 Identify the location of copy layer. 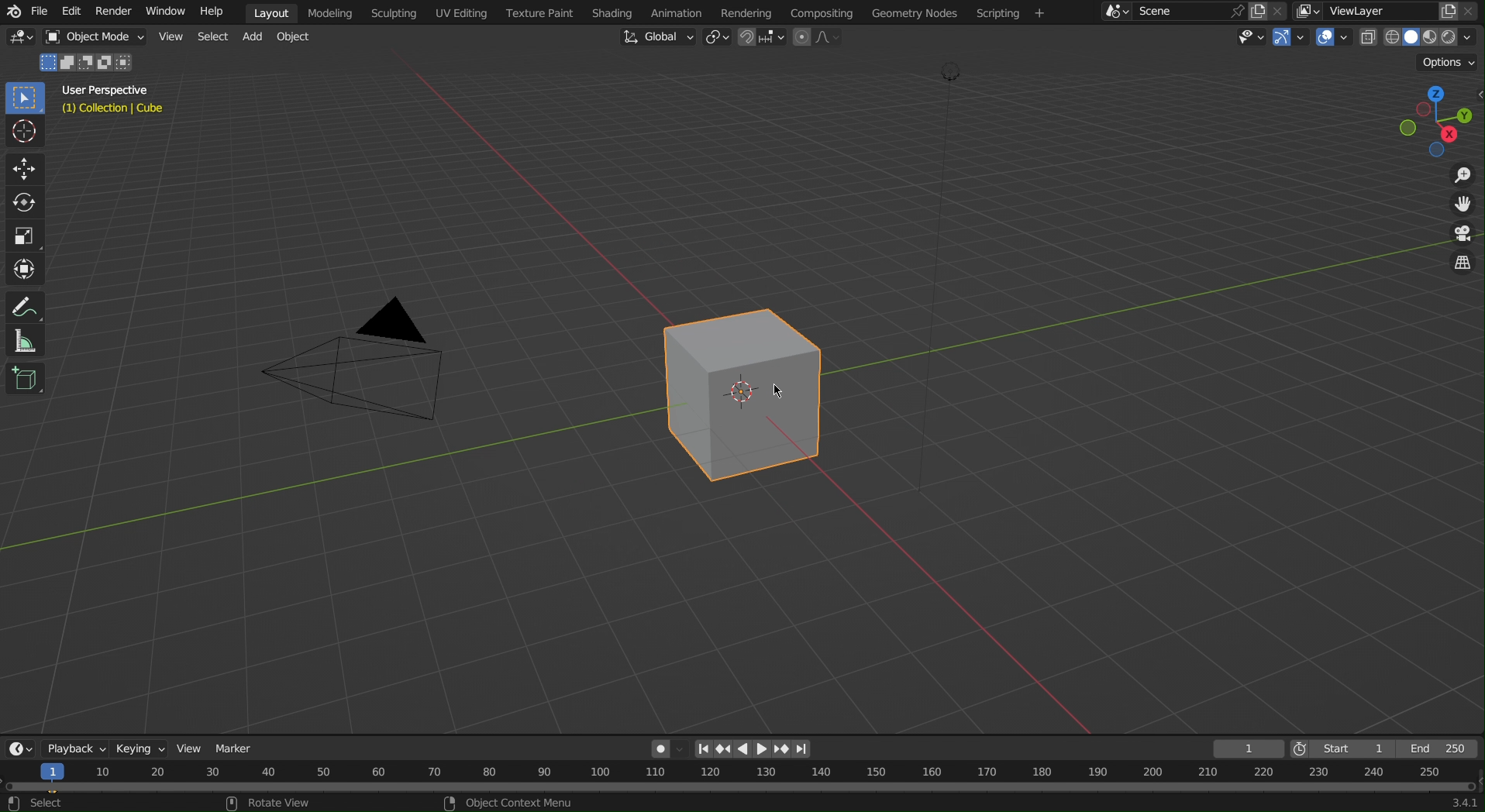
(1443, 10).